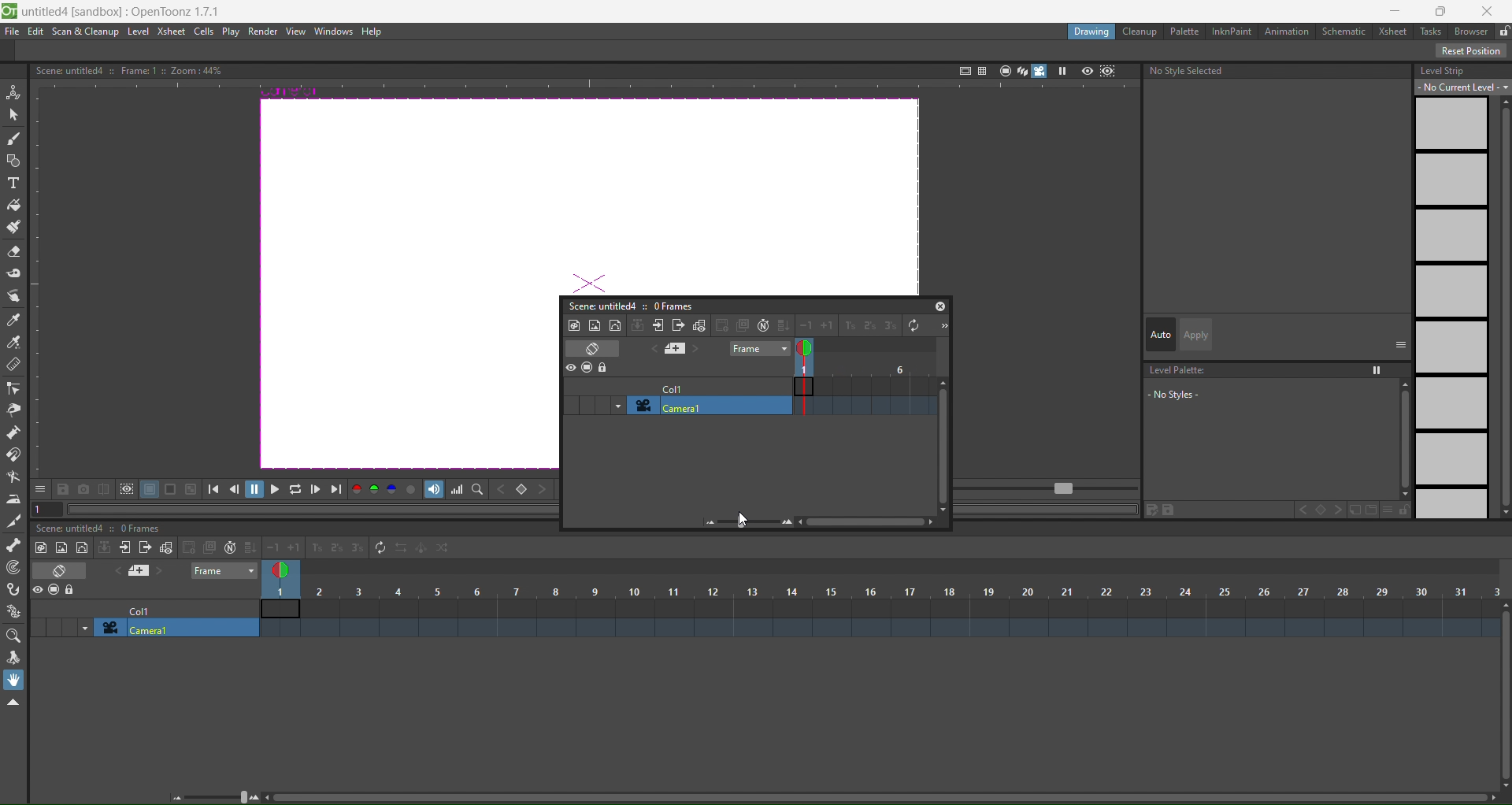 The image size is (1512, 805). What do you see at coordinates (1290, 32) in the screenshot?
I see `animation` at bounding box center [1290, 32].